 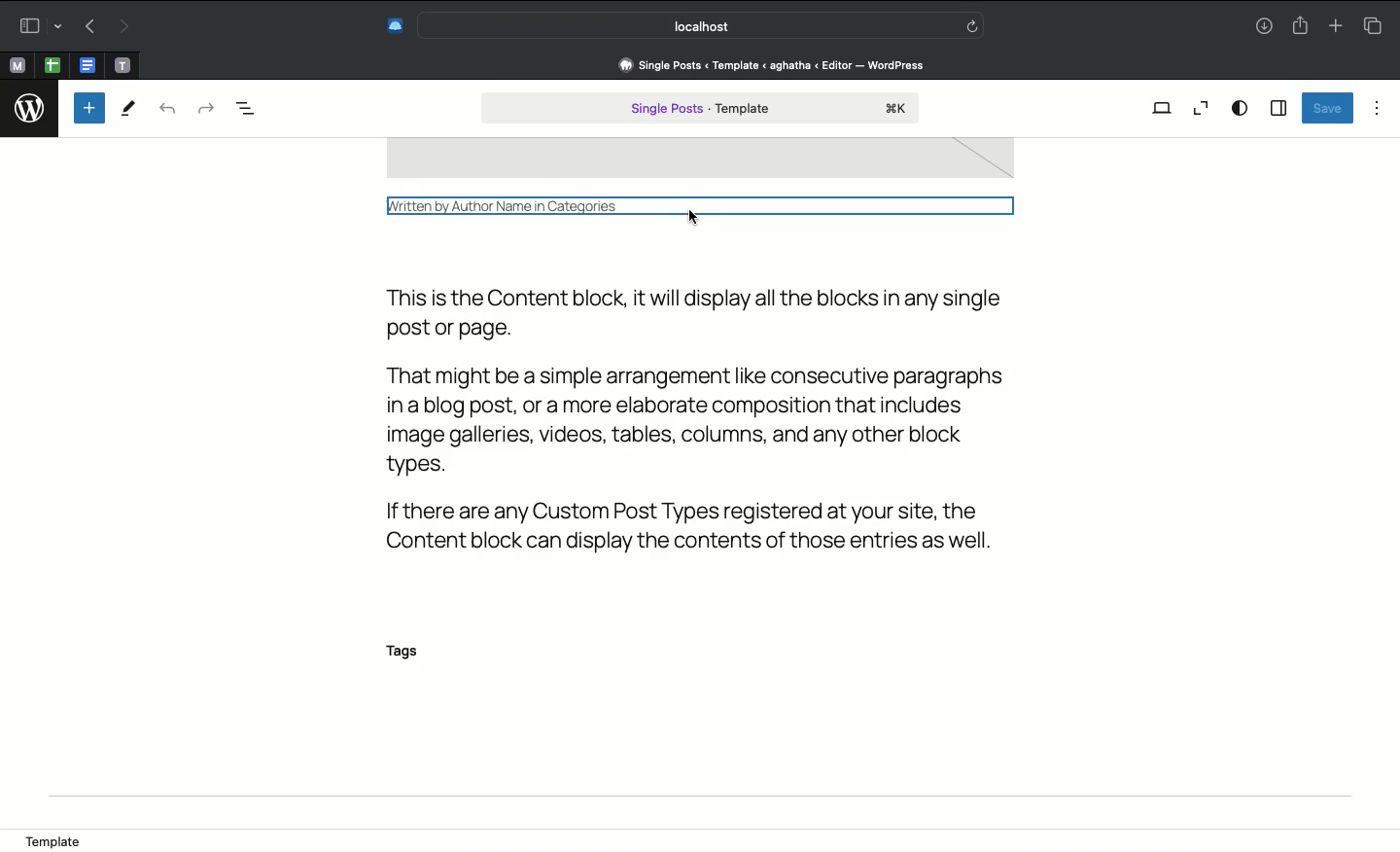 What do you see at coordinates (715, 419) in the screenshot?
I see `Text` at bounding box center [715, 419].